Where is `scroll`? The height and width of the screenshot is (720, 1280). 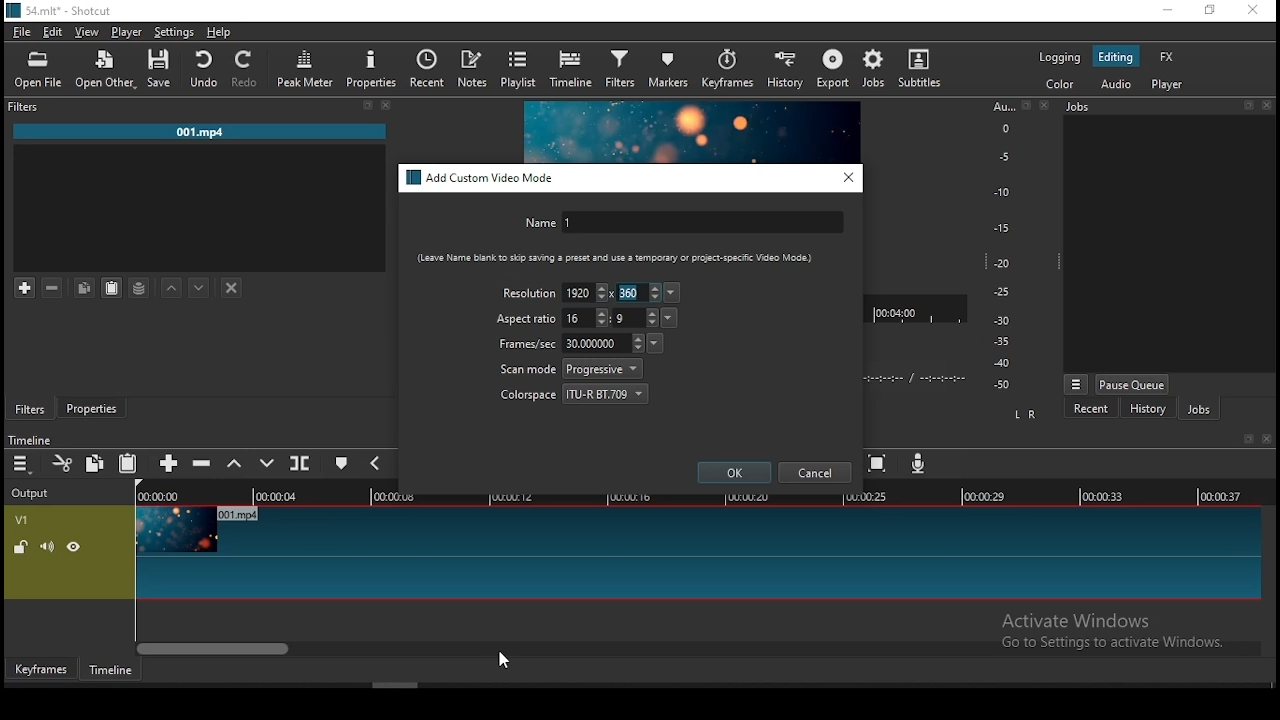 scroll is located at coordinates (395, 685).